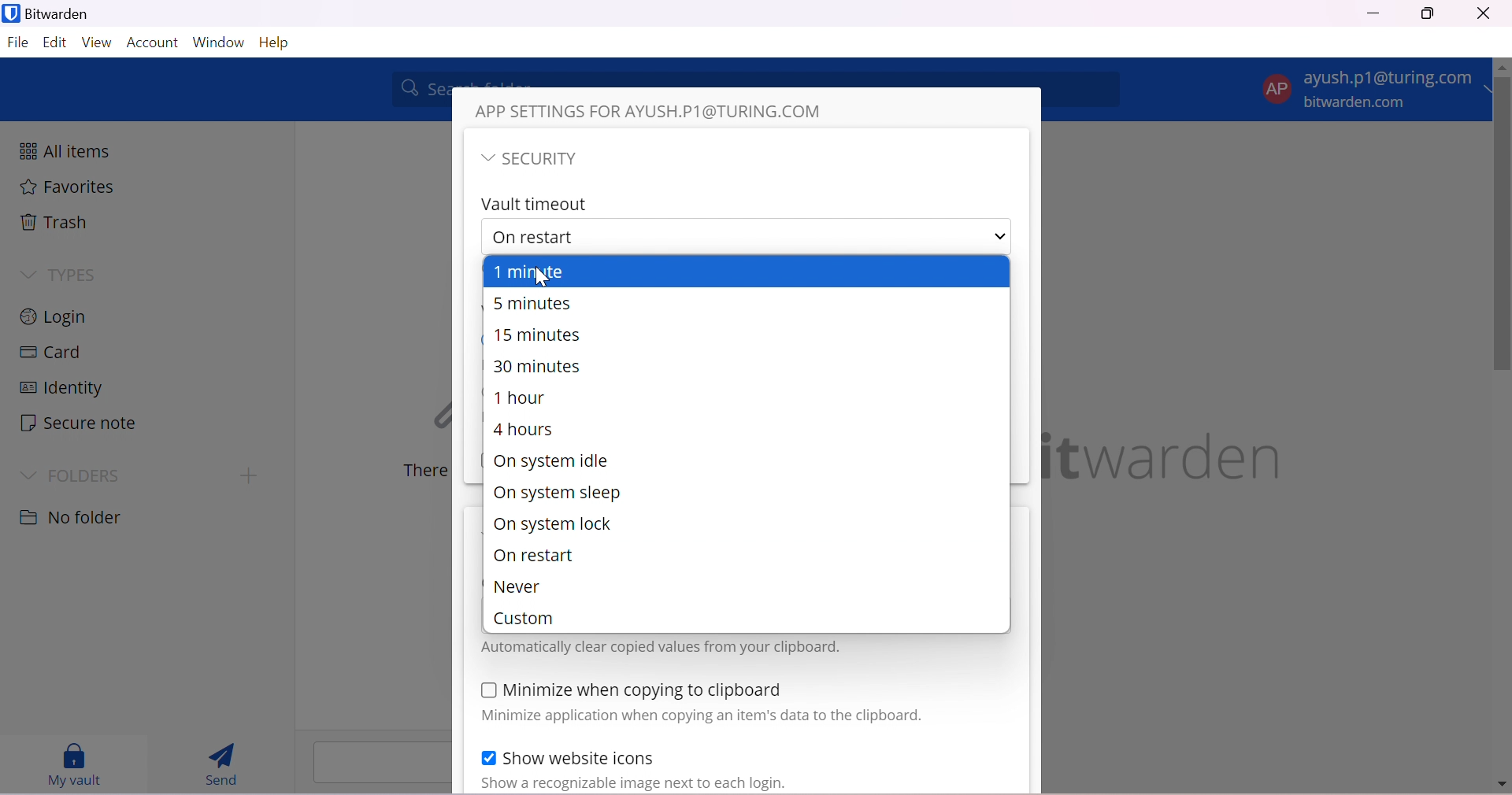  I want to click on Favorites, so click(69, 187).